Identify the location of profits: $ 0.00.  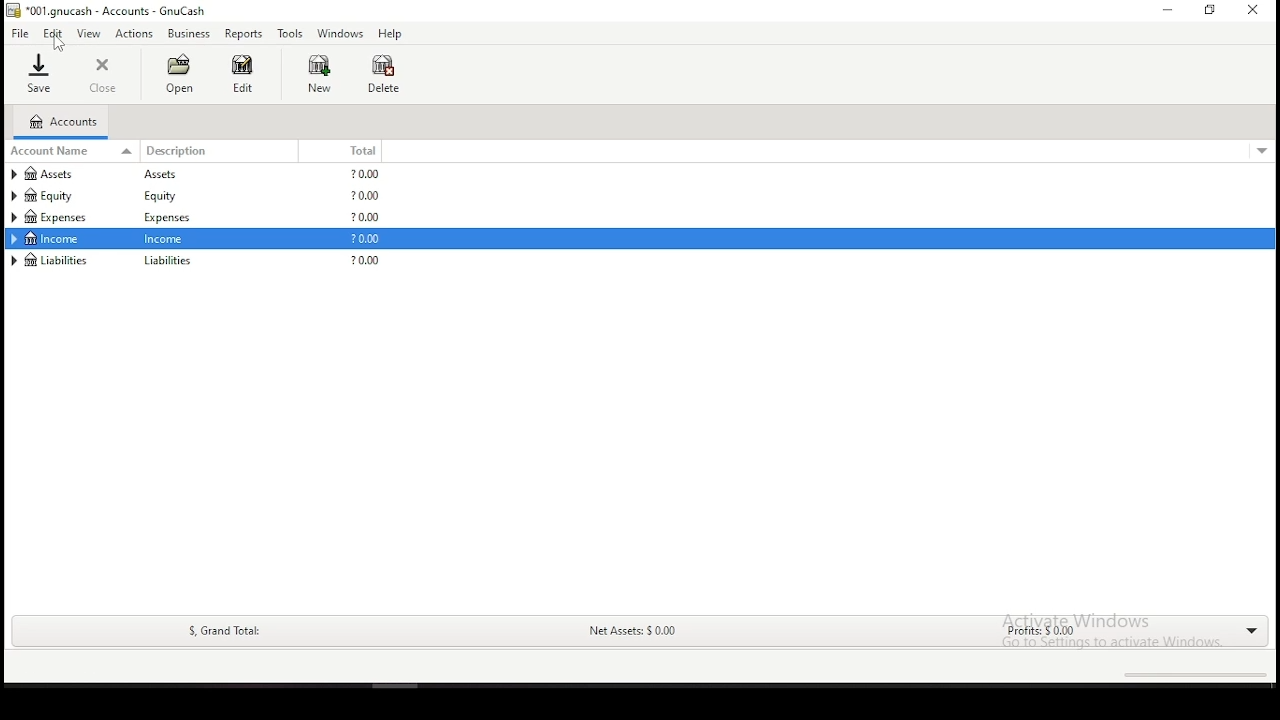
(1034, 633).